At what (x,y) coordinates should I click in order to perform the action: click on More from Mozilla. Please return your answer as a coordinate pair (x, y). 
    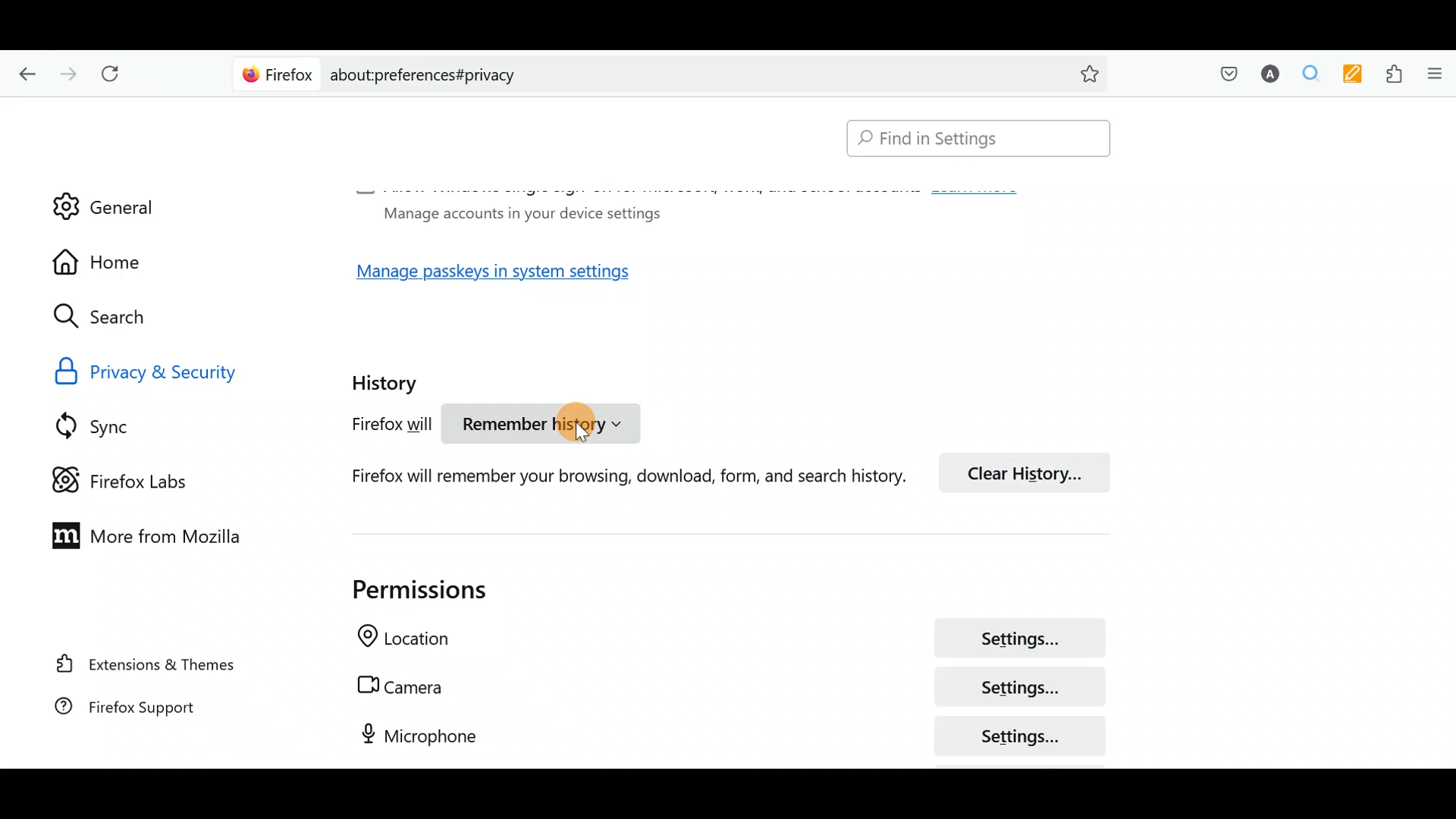
    Looking at the image, I should click on (139, 534).